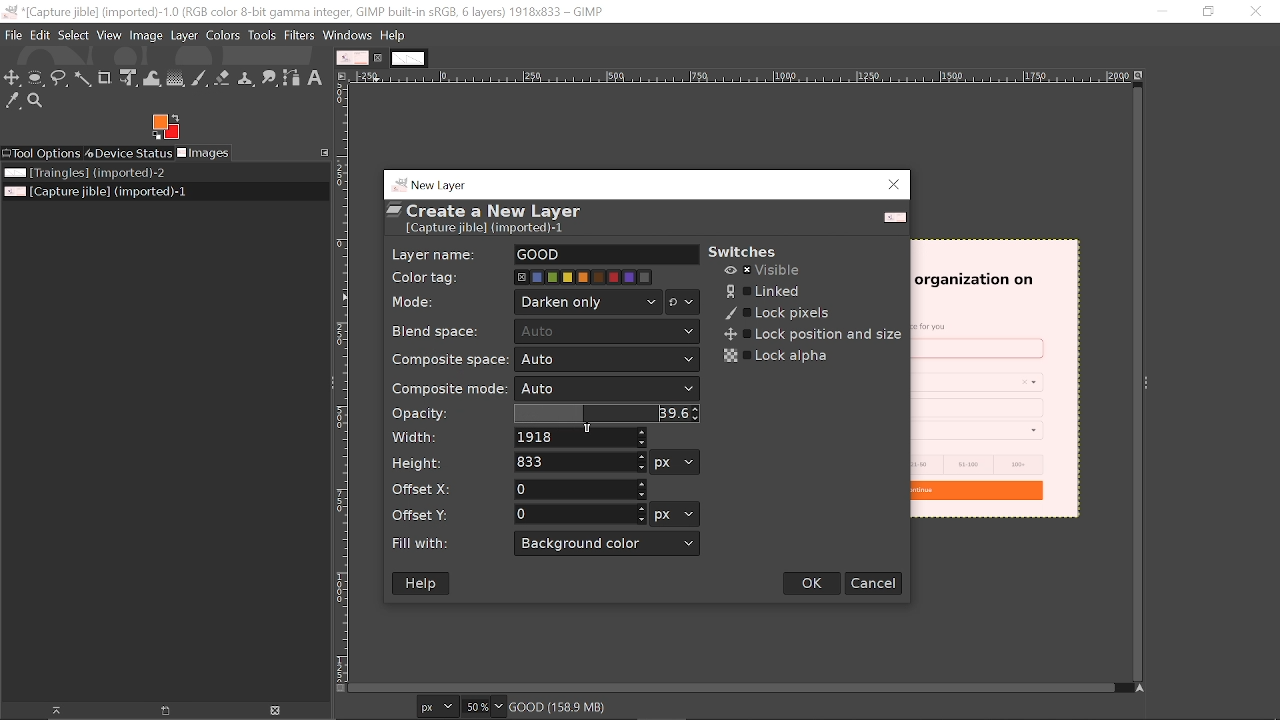 This screenshot has width=1280, height=720. Describe the element at coordinates (381, 59) in the screenshot. I see `Close current tab` at that location.